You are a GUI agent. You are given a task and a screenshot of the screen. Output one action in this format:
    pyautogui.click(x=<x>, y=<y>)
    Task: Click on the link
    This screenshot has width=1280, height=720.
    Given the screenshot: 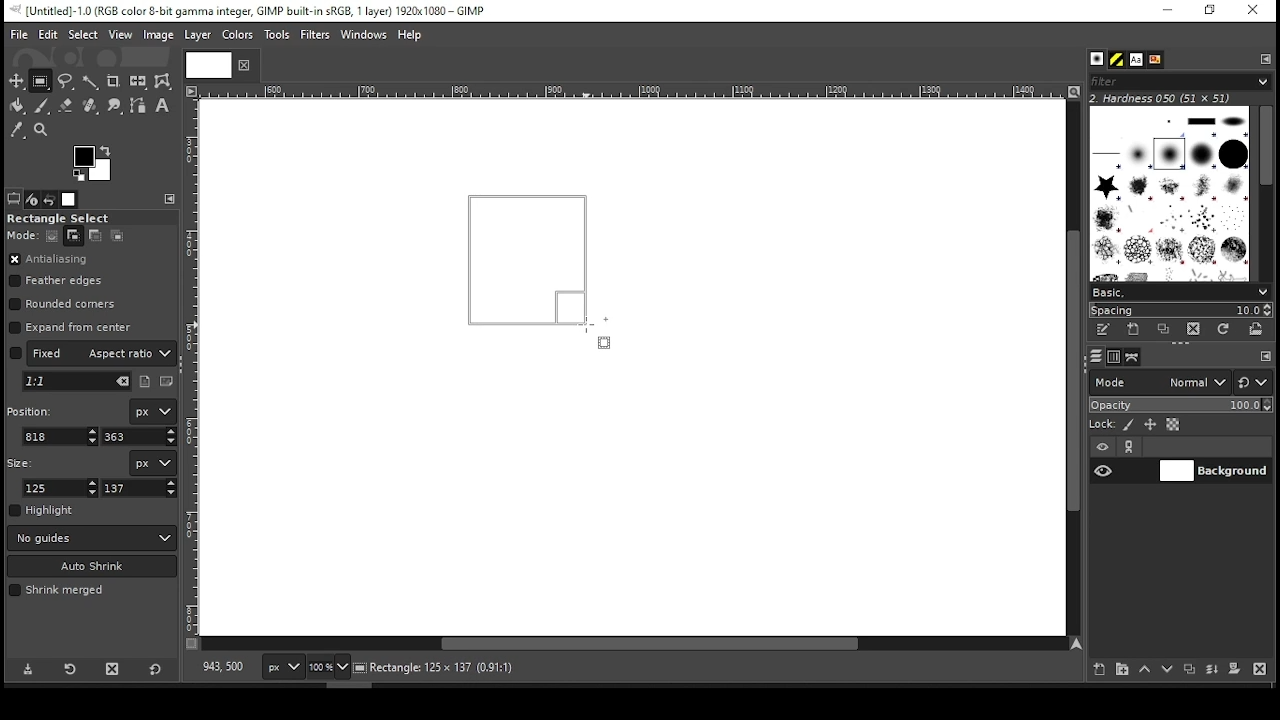 What is the action you would take?
    pyautogui.click(x=1129, y=447)
    